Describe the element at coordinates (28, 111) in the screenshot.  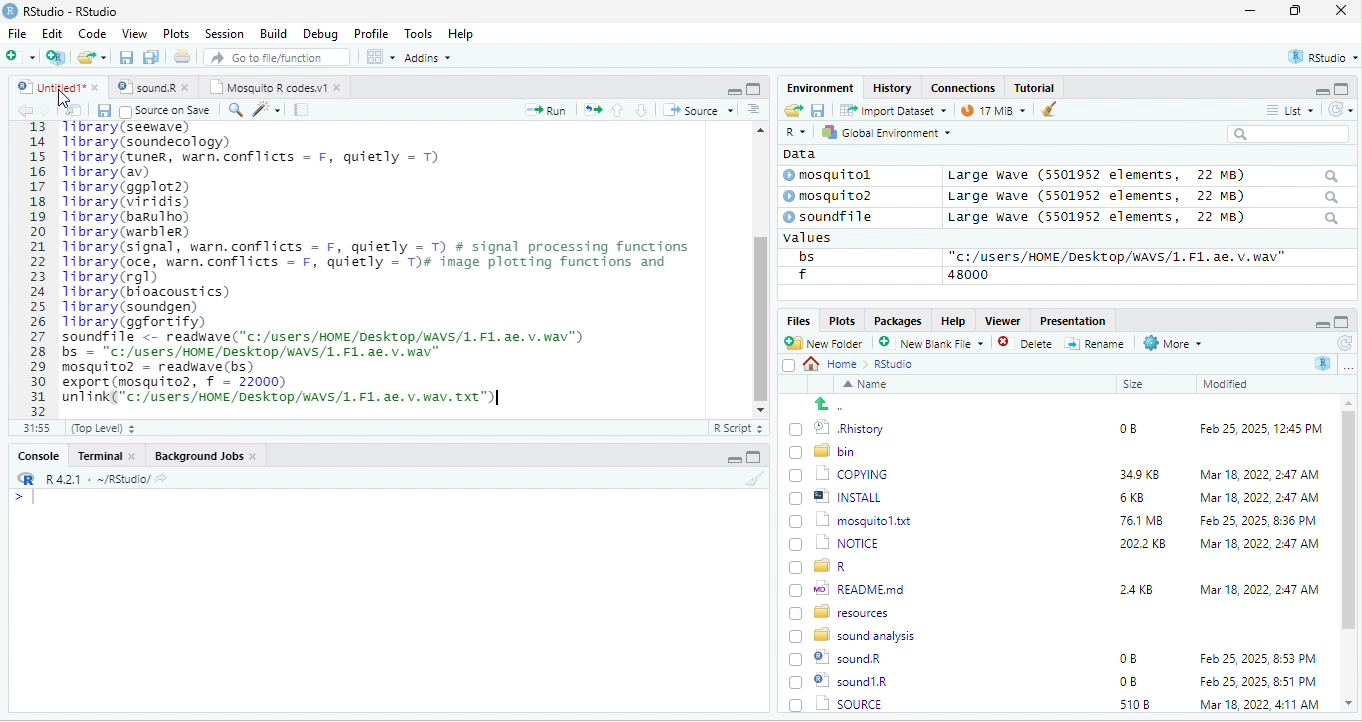
I see `back` at that location.